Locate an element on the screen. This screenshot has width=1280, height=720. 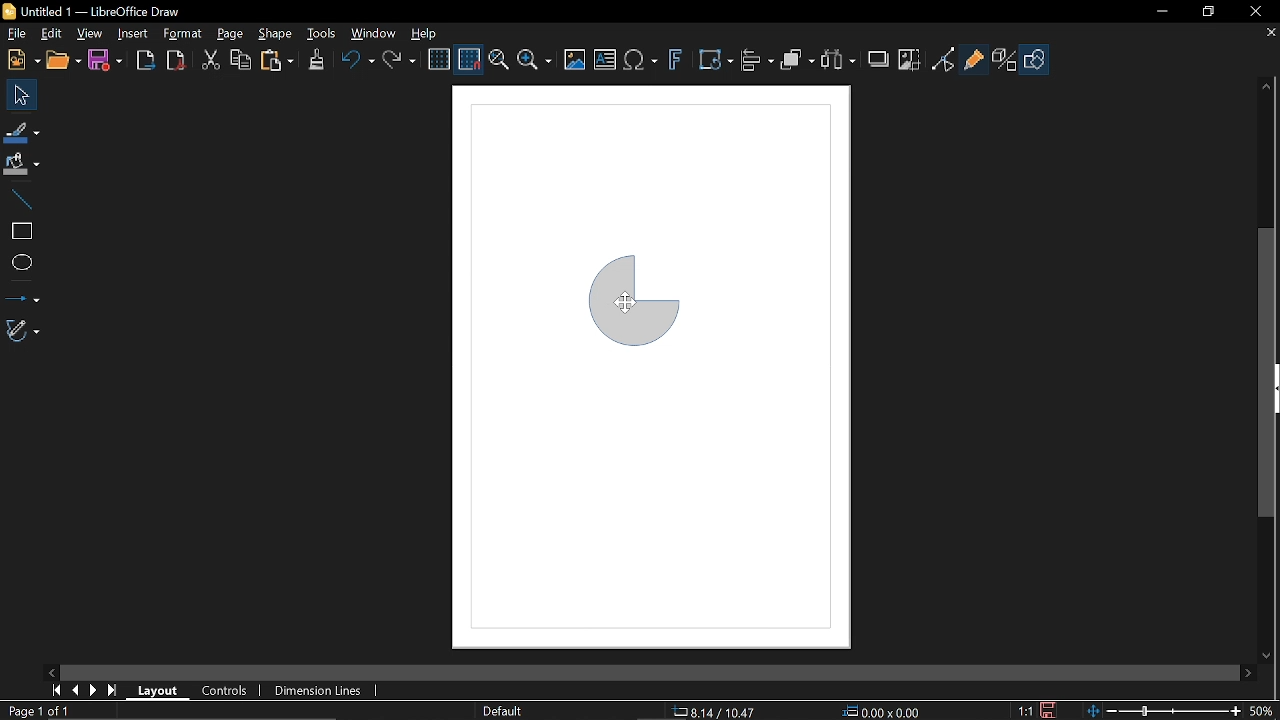
Save is located at coordinates (1052, 710).